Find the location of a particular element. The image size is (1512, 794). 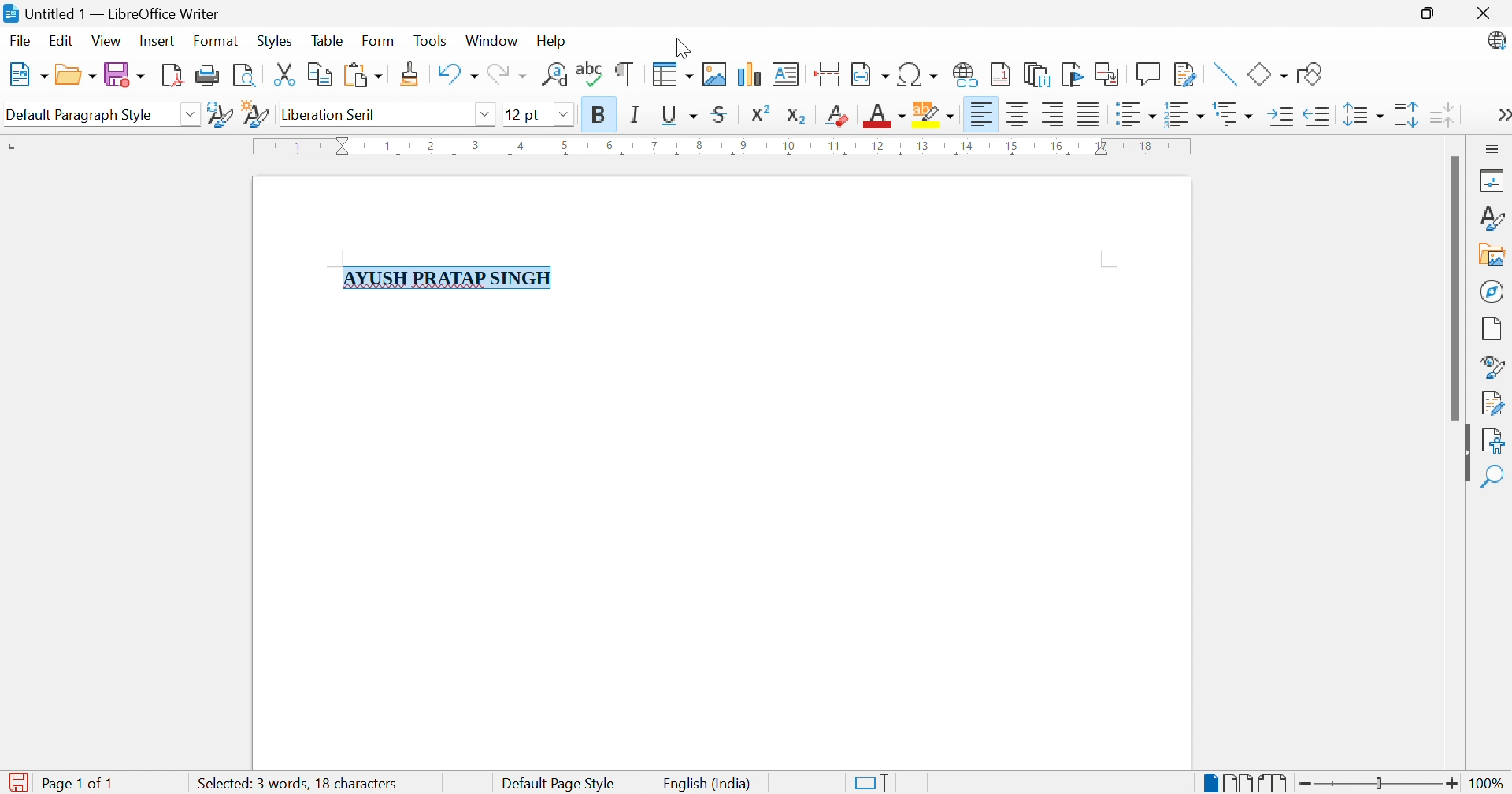

4 words, 19 characters is located at coordinates (299, 783).